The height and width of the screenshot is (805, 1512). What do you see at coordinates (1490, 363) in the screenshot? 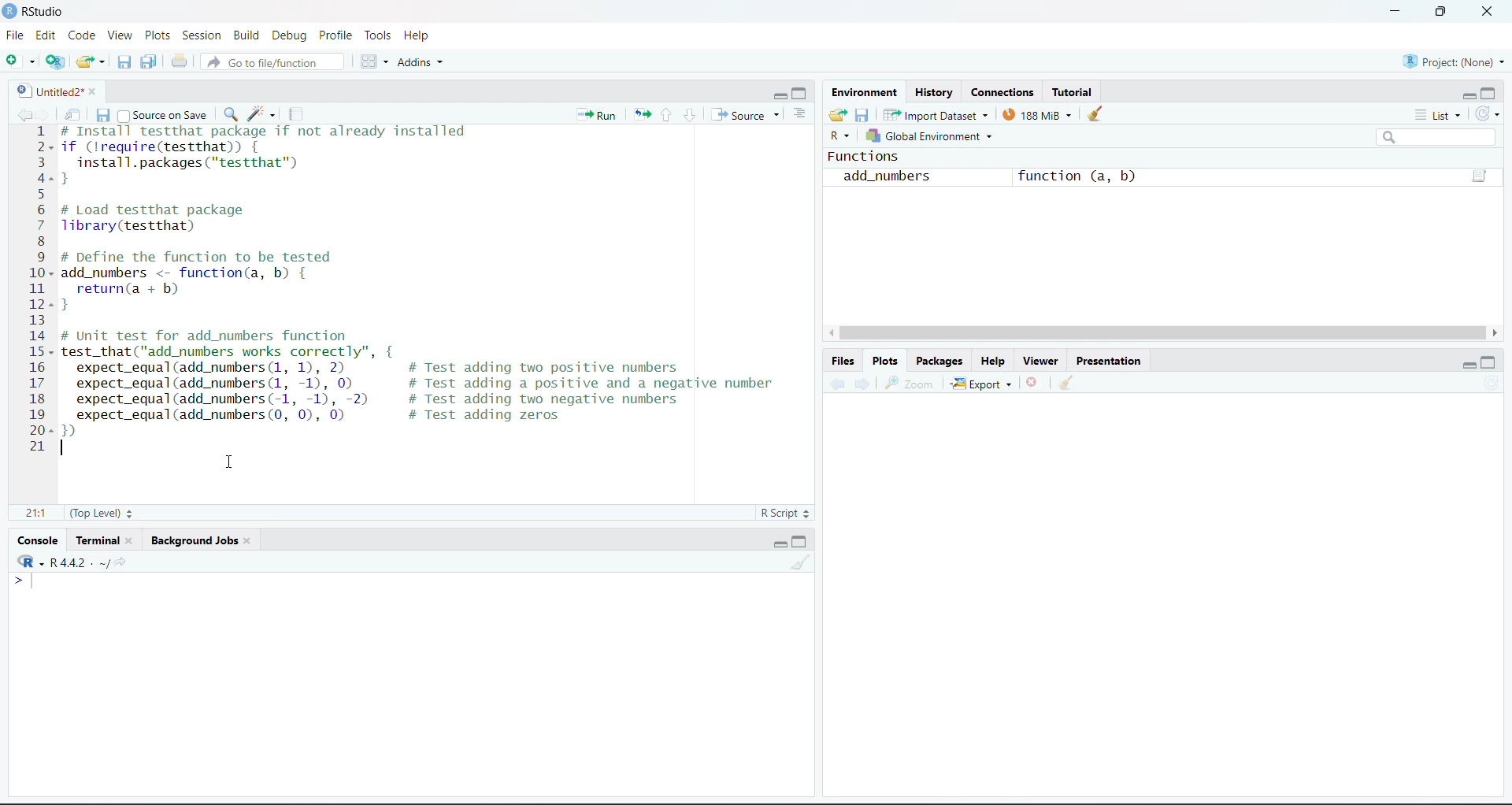
I see `maximize` at bounding box center [1490, 363].